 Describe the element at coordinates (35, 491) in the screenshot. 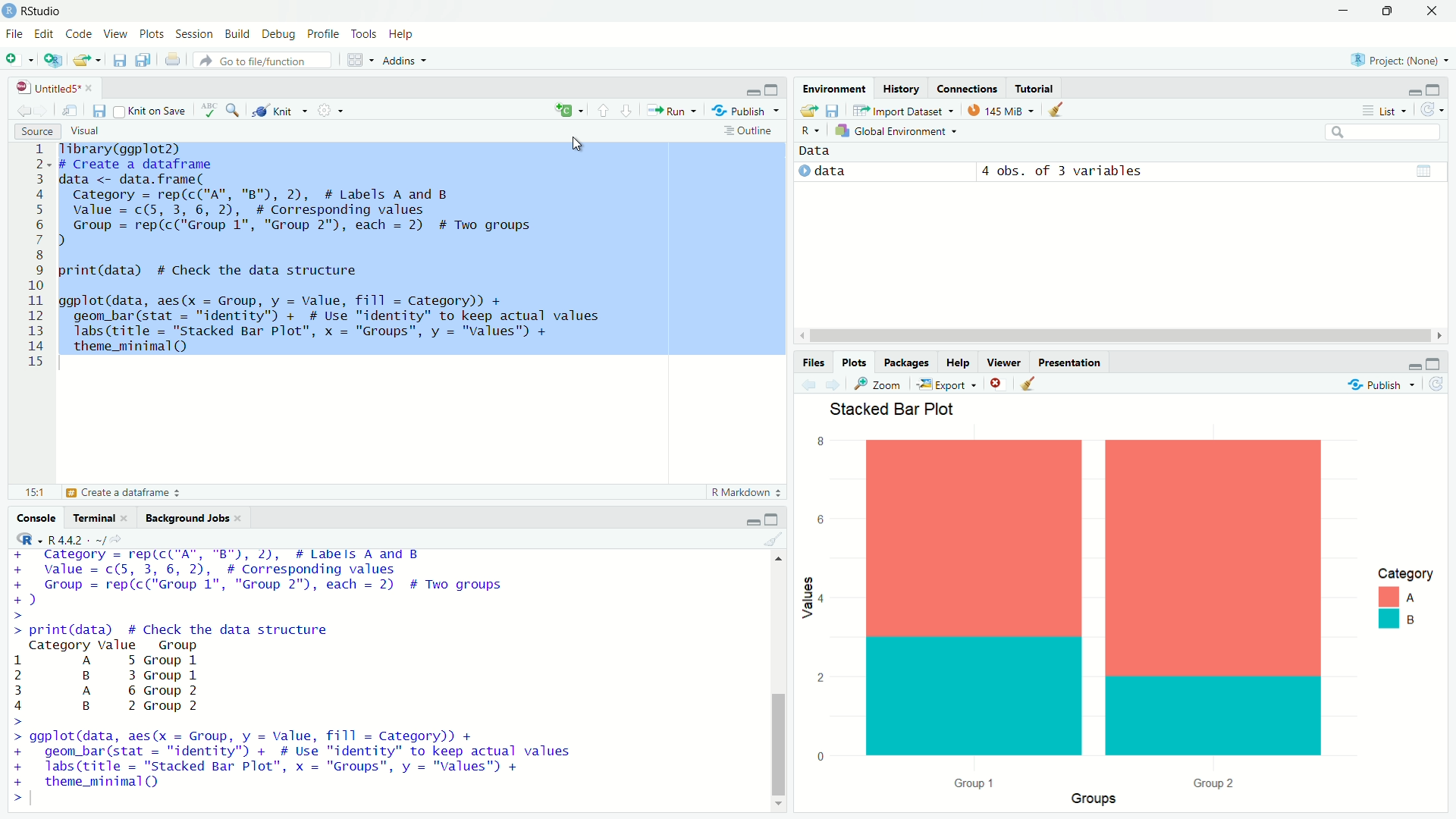

I see `15:1` at that location.